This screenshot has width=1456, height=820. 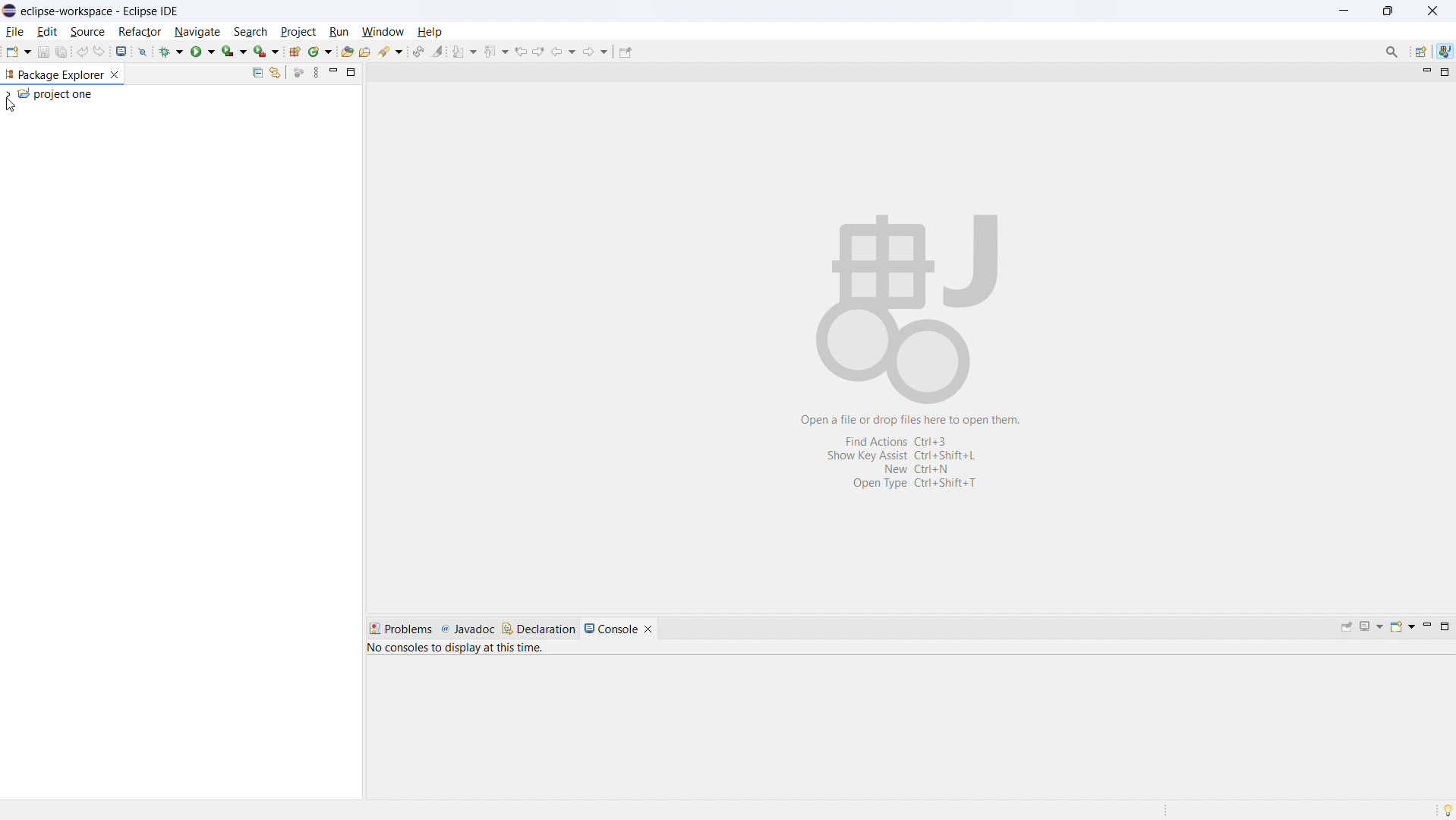 I want to click on coverage, so click(x=234, y=52).